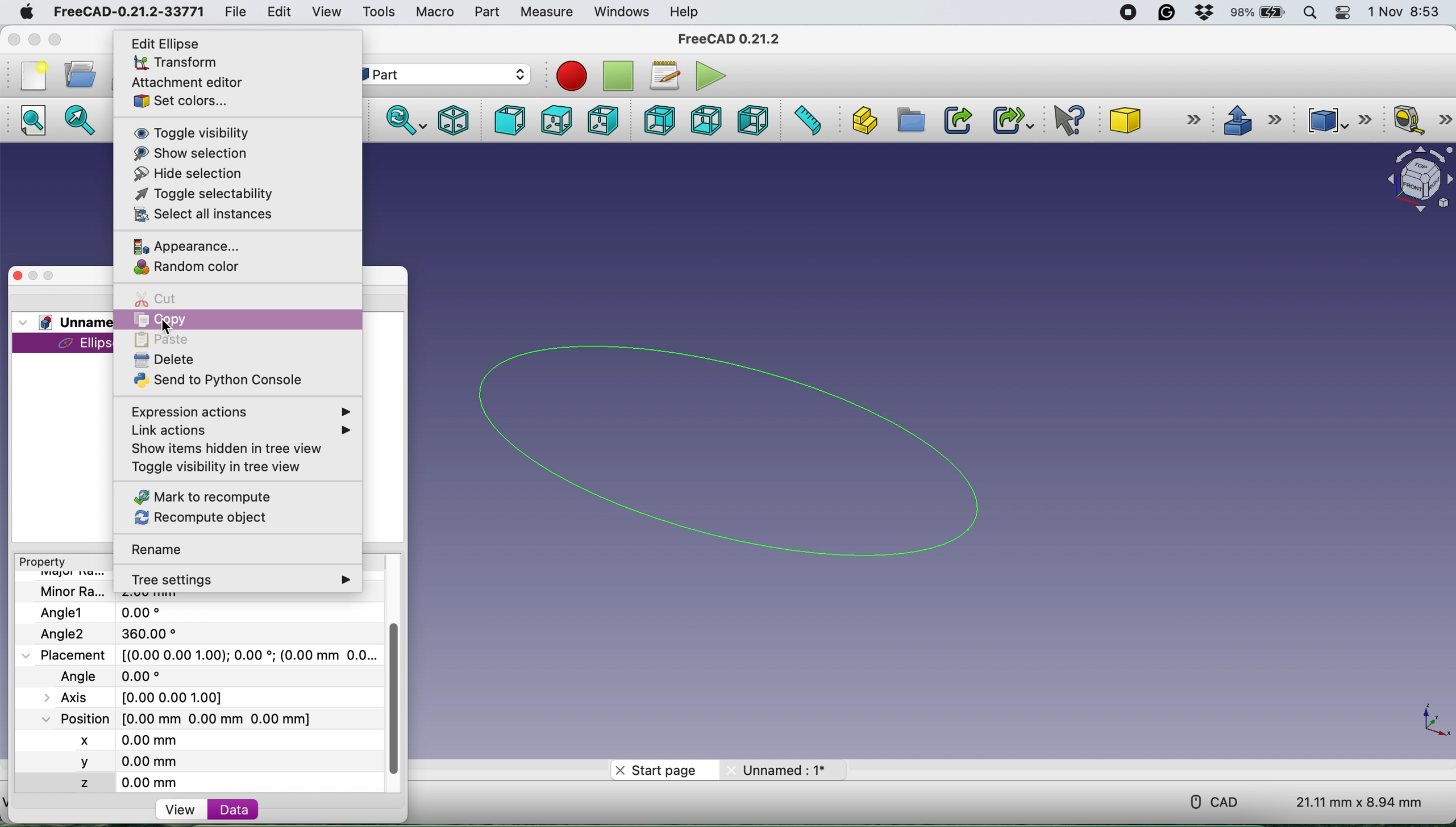 The height and width of the screenshot is (827, 1456). Describe the element at coordinates (127, 12) in the screenshot. I see `freecad` at that location.